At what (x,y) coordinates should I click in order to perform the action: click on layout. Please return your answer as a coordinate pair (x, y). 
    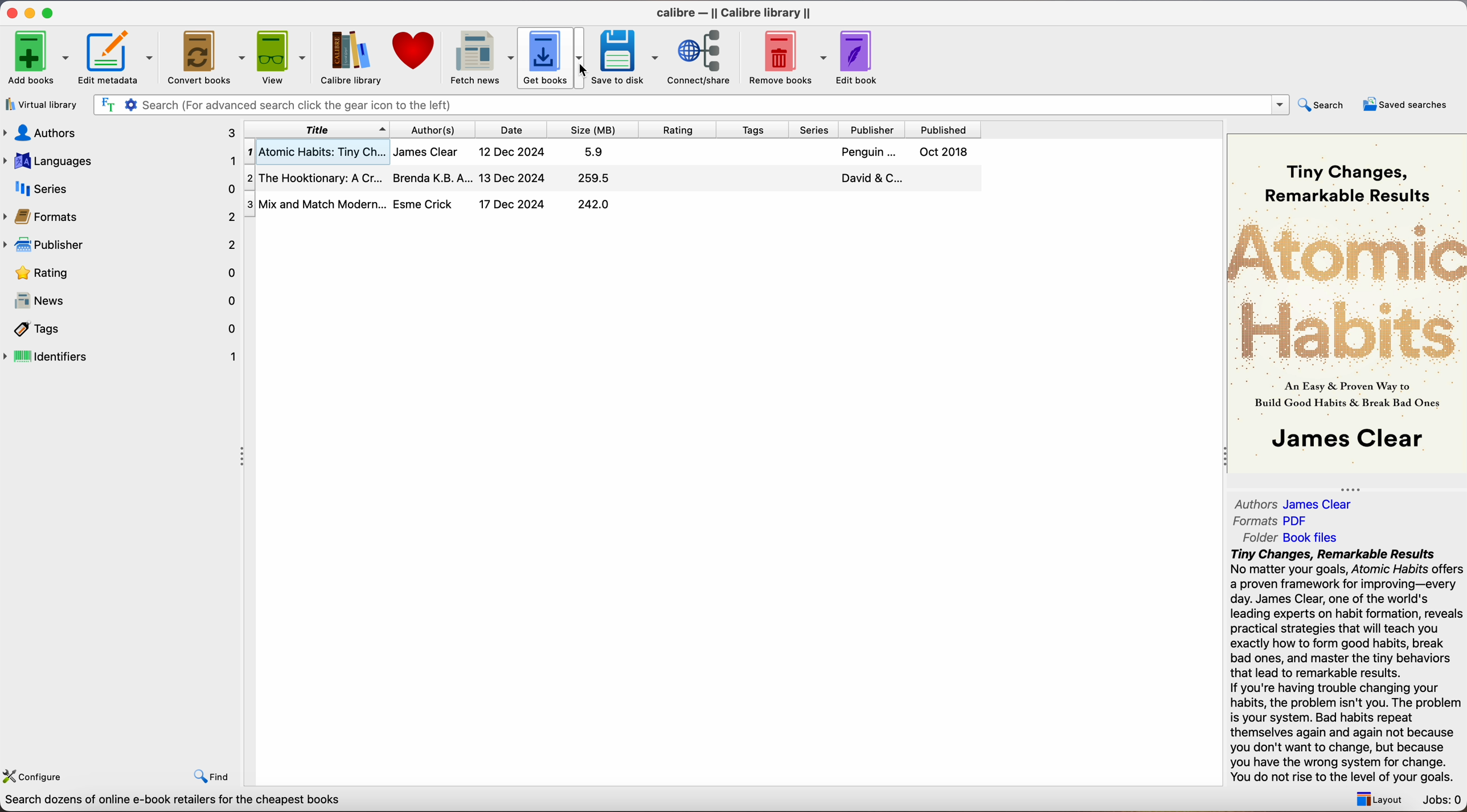
    Looking at the image, I should click on (1376, 799).